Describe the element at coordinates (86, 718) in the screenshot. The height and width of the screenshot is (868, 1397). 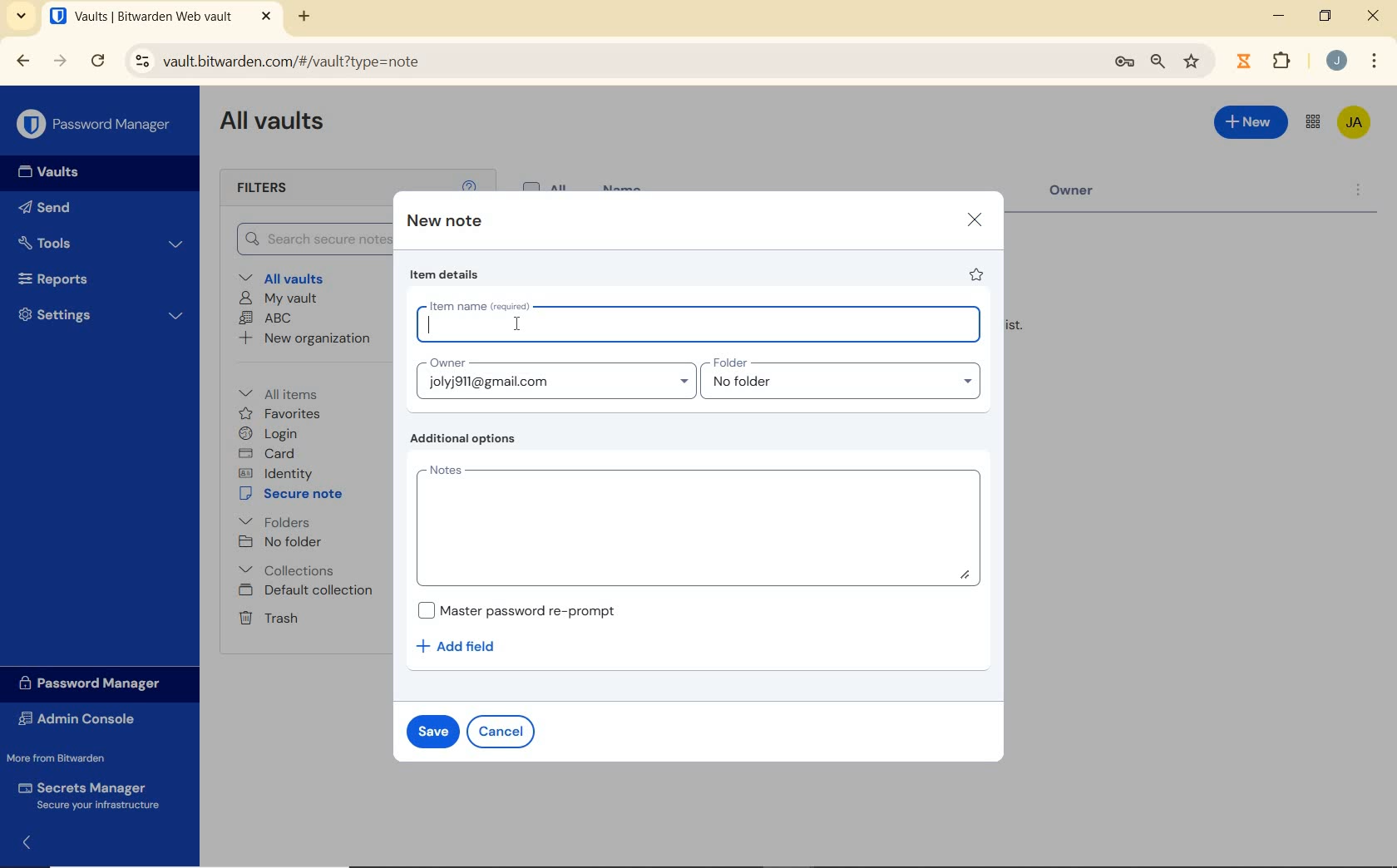
I see `Admin Console` at that location.